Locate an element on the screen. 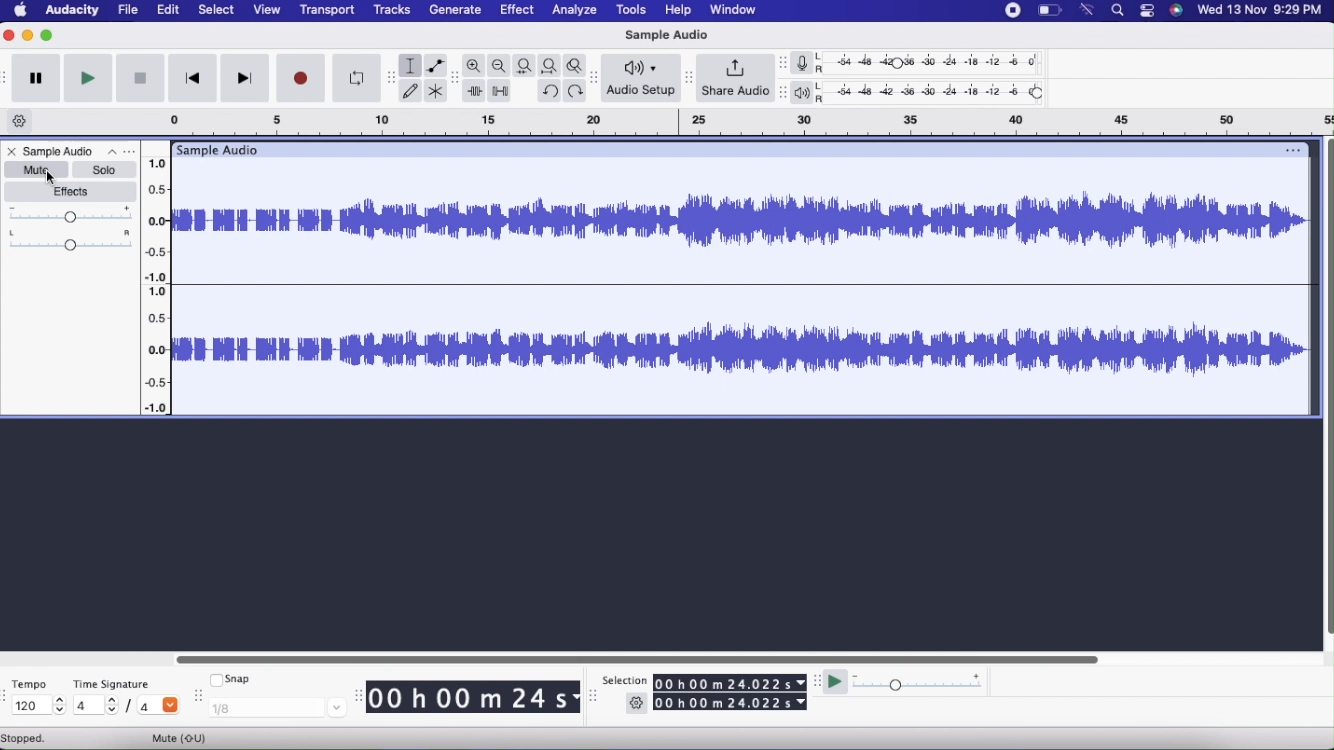 This screenshot has width=1334, height=750. 4 is located at coordinates (96, 706).